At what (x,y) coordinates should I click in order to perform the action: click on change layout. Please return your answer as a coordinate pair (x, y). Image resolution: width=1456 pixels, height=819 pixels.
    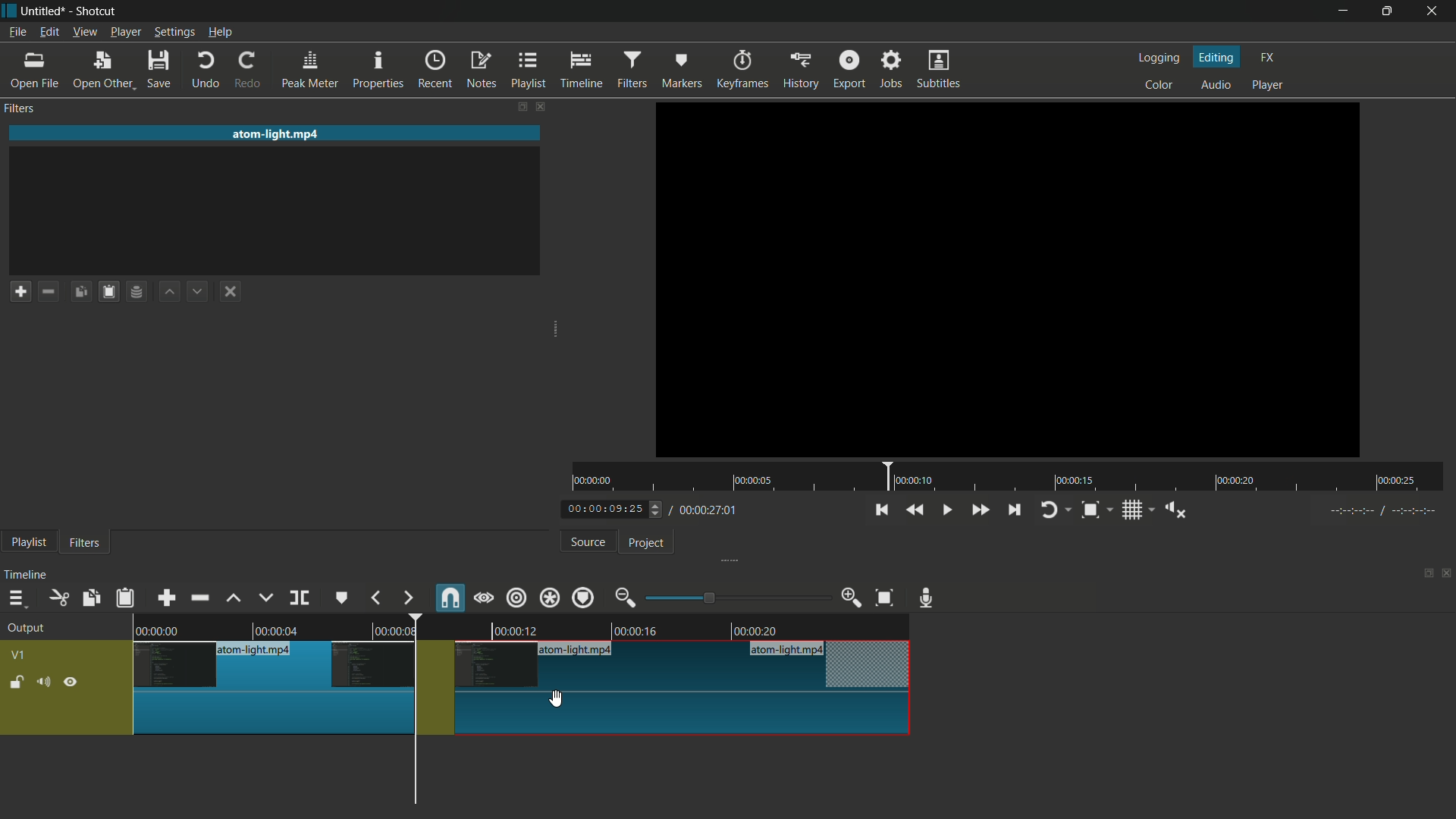
    Looking at the image, I should click on (1423, 572).